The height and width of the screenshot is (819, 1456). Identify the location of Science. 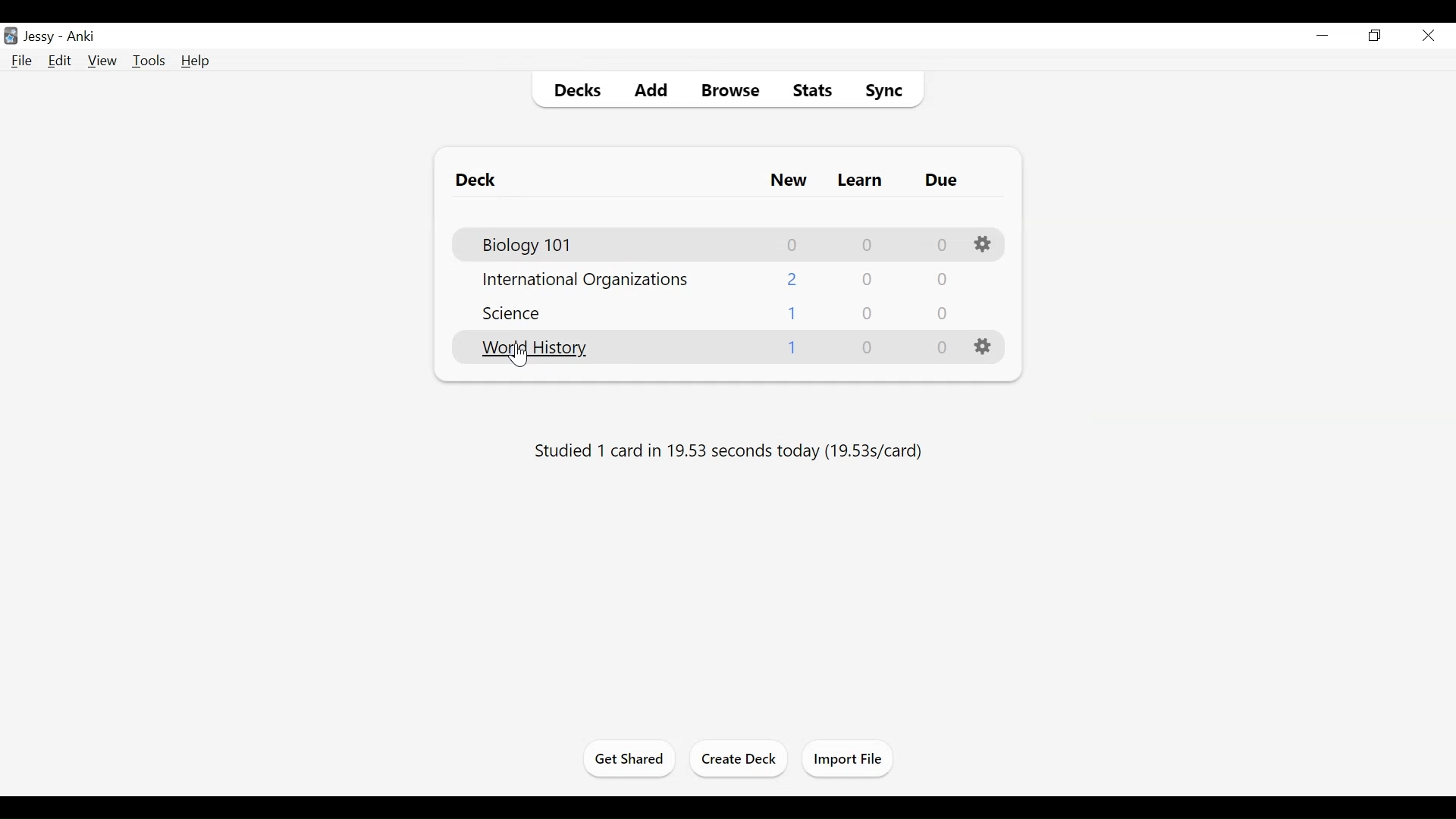
(508, 313).